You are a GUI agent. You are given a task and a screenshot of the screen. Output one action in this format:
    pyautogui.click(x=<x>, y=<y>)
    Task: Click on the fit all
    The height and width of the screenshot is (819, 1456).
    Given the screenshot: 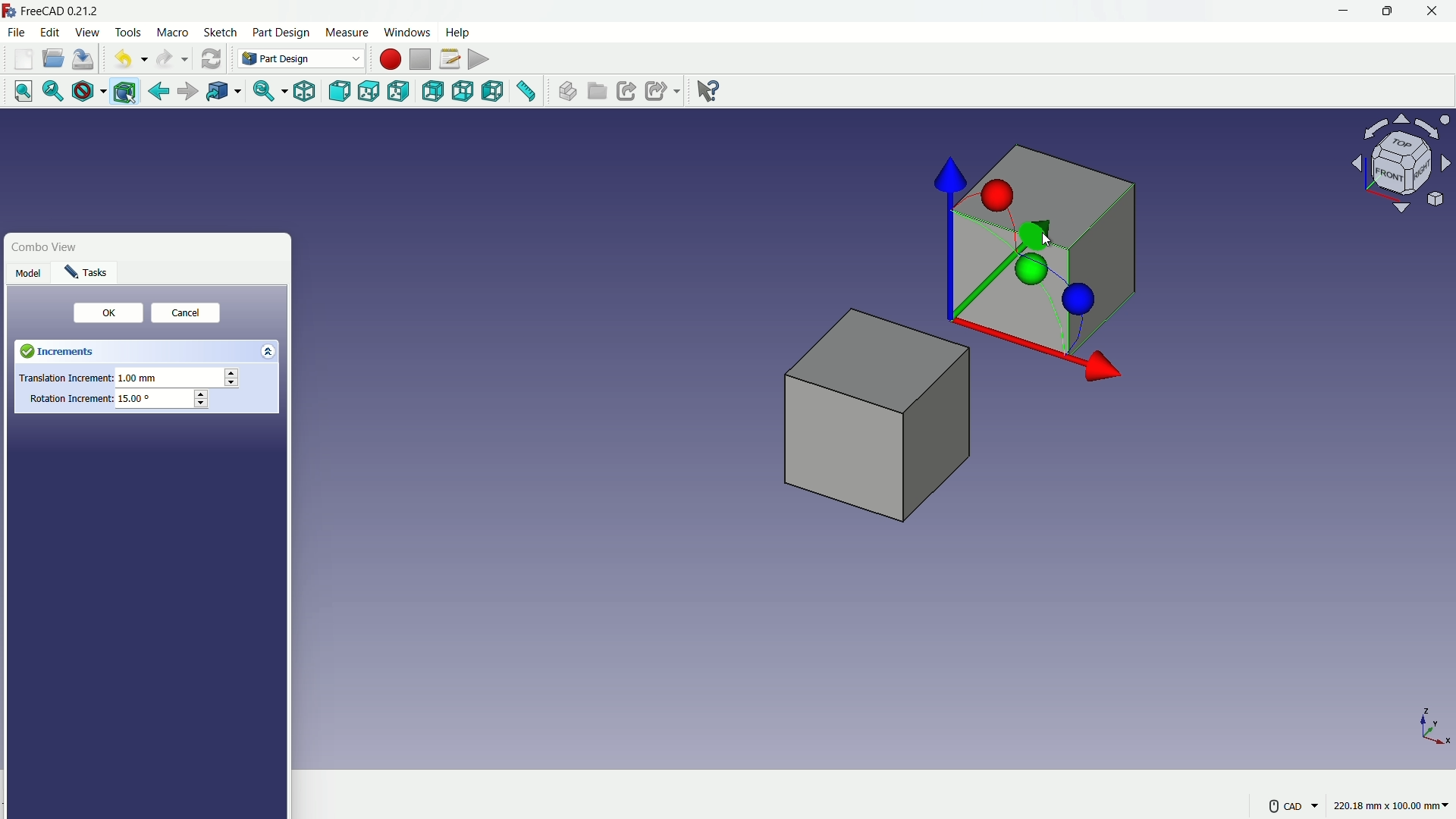 What is the action you would take?
    pyautogui.click(x=18, y=90)
    